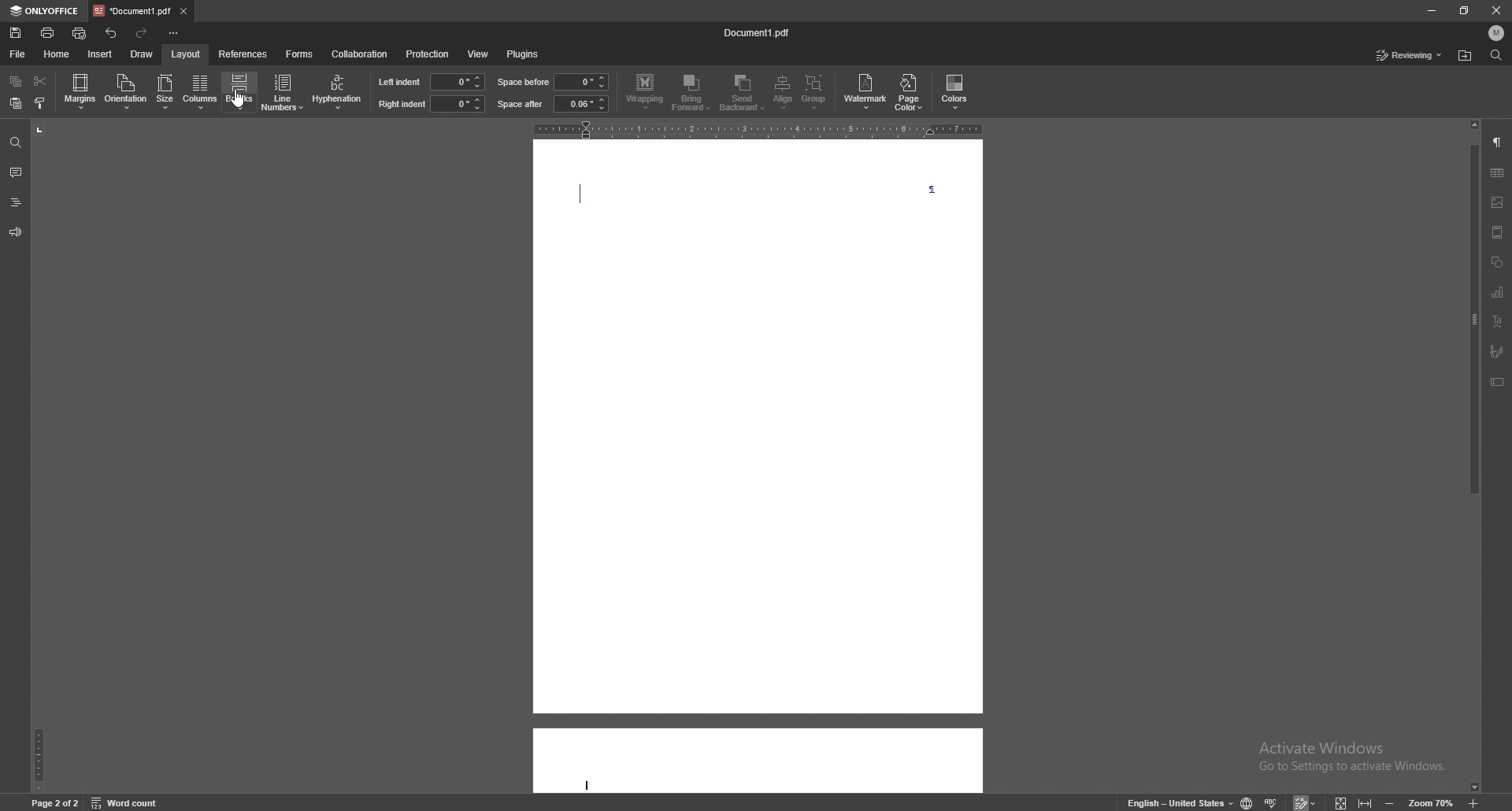 The width and height of the screenshot is (1512, 811). I want to click on find, so click(1497, 54).